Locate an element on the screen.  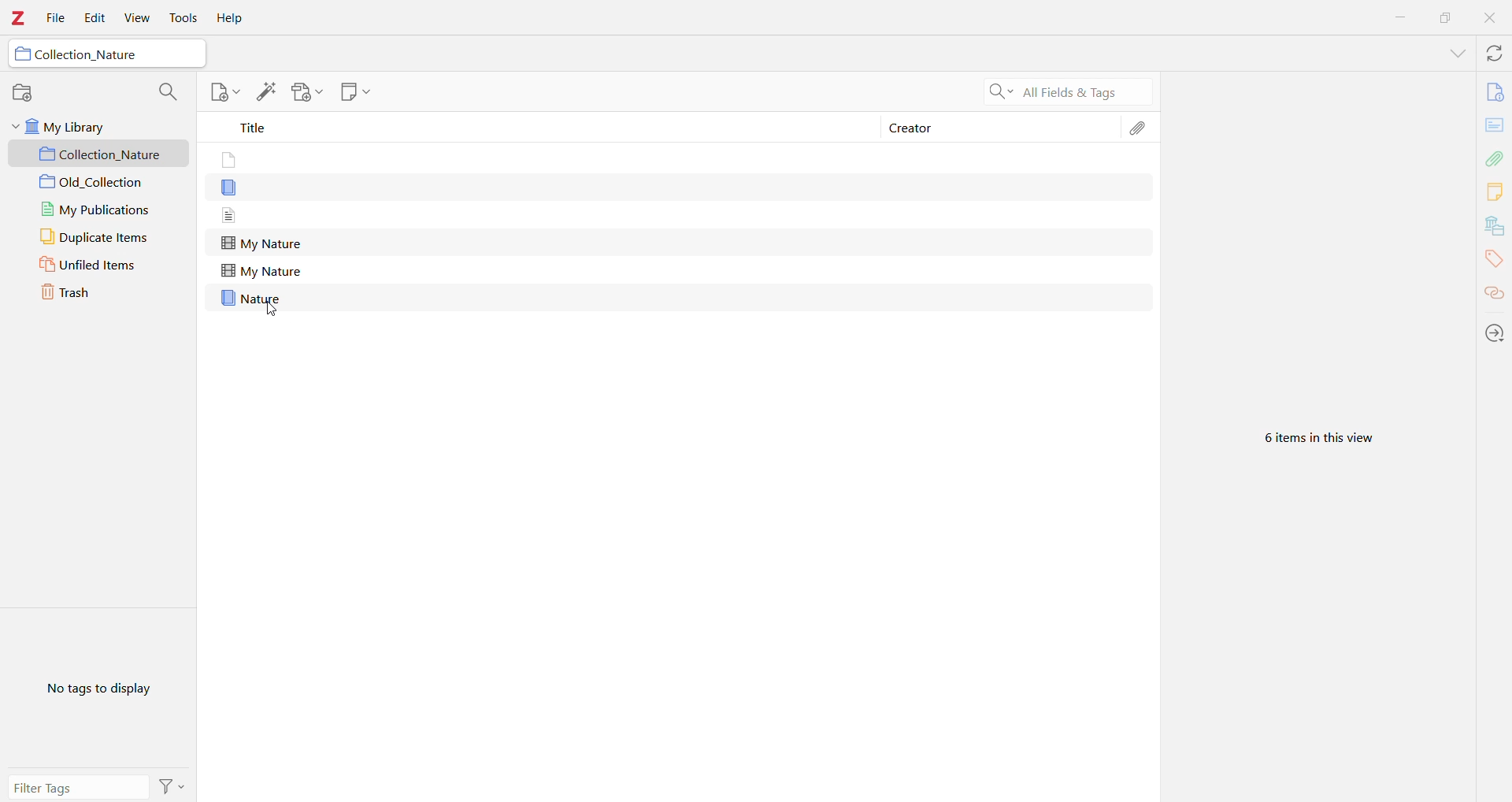
Tags is located at coordinates (1494, 260).